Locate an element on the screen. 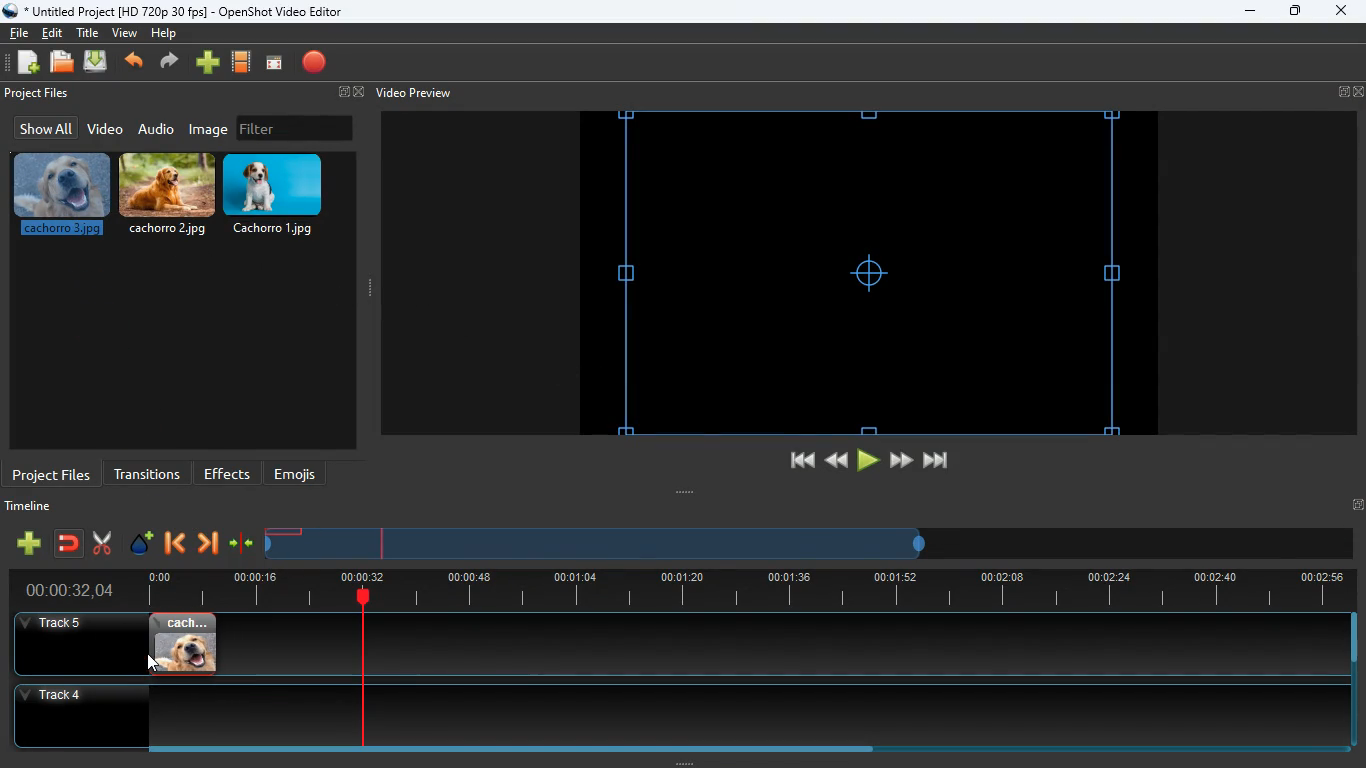 Image resolution: width=1366 pixels, height=768 pixels. Vertical slide bar is located at coordinates (1354, 680).